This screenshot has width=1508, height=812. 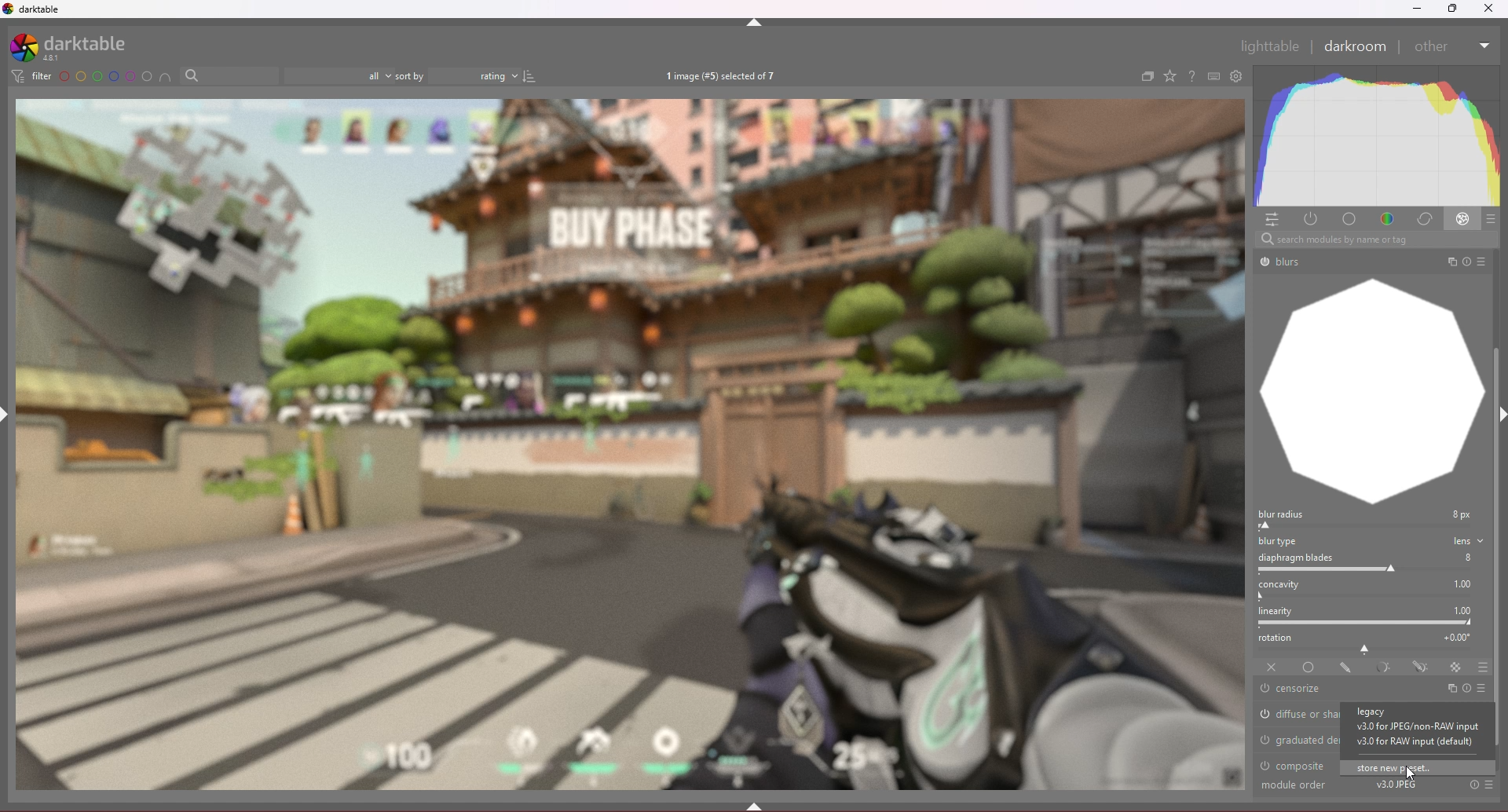 What do you see at coordinates (1347, 668) in the screenshot?
I see `drawn mask` at bounding box center [1347, 668].